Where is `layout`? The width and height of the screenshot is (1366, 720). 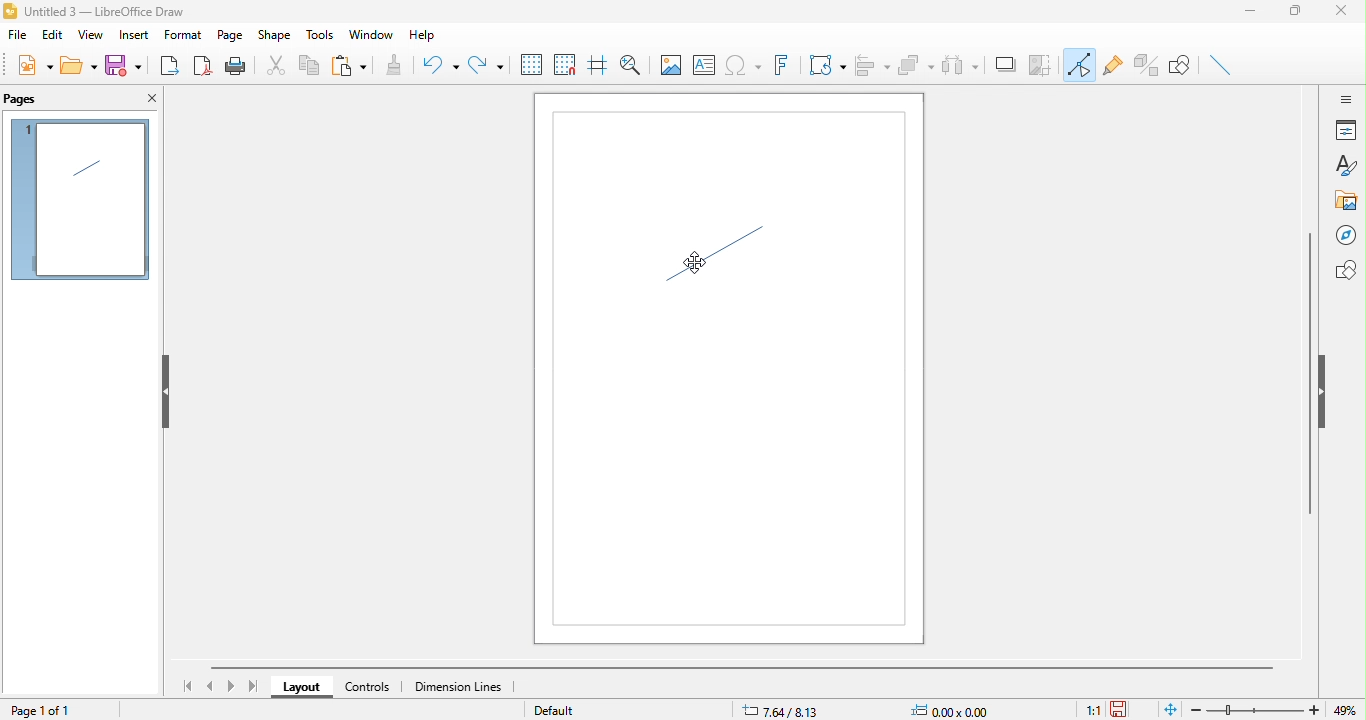
layout is located at coordinates (301, 689).